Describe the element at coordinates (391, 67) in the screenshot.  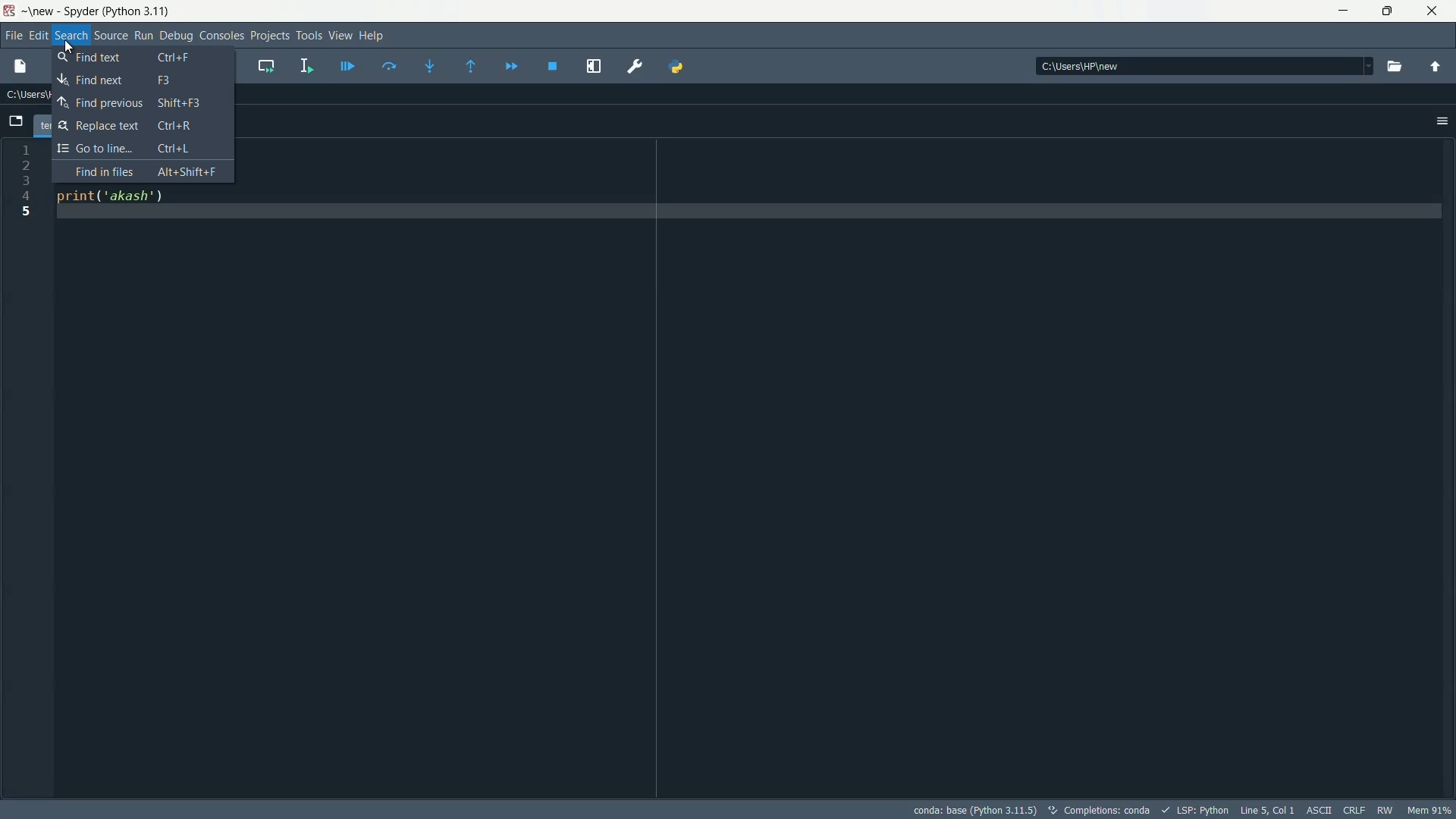
I see `run current line` at that location.